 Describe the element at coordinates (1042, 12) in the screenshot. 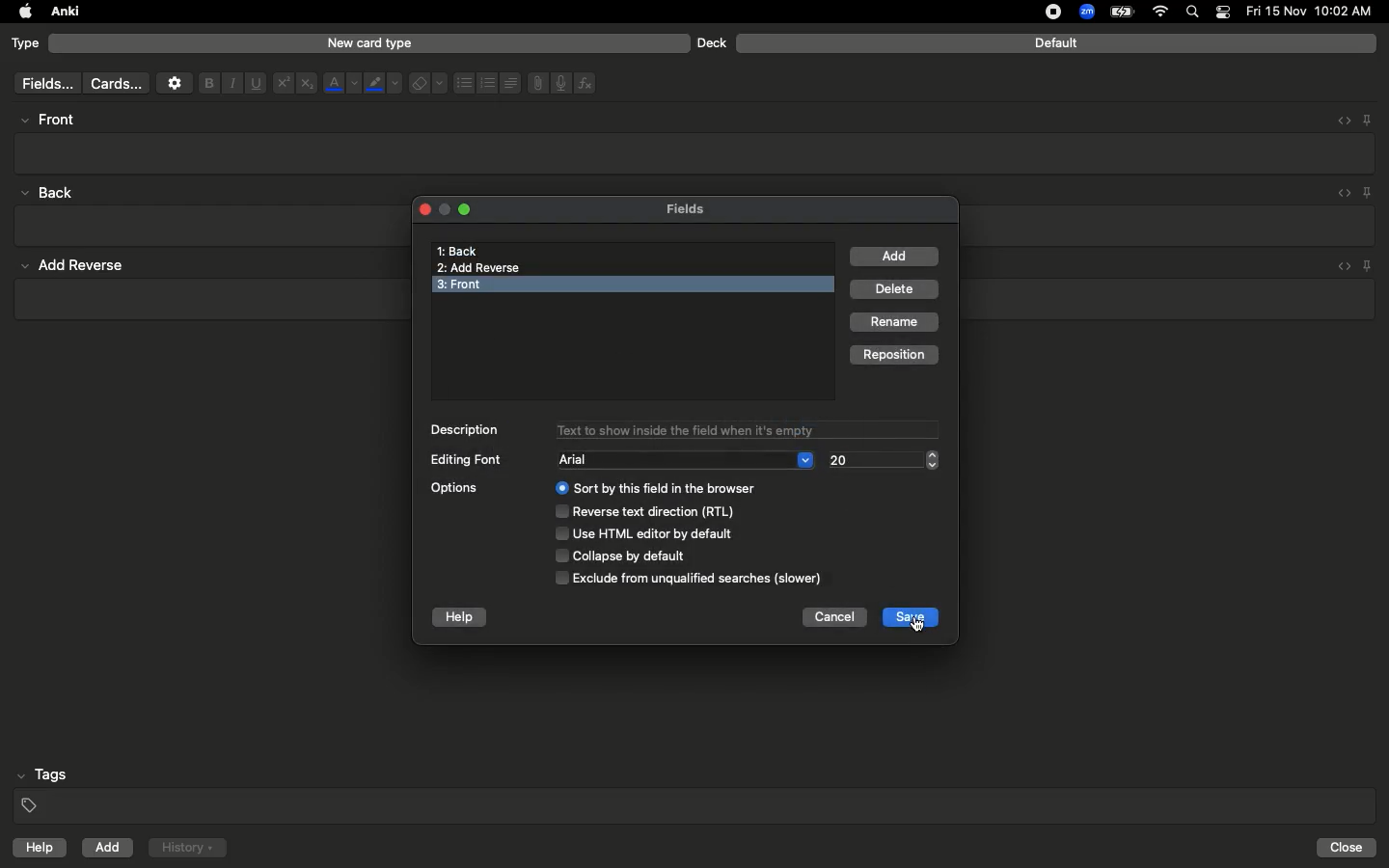

I see `recording` at that location.